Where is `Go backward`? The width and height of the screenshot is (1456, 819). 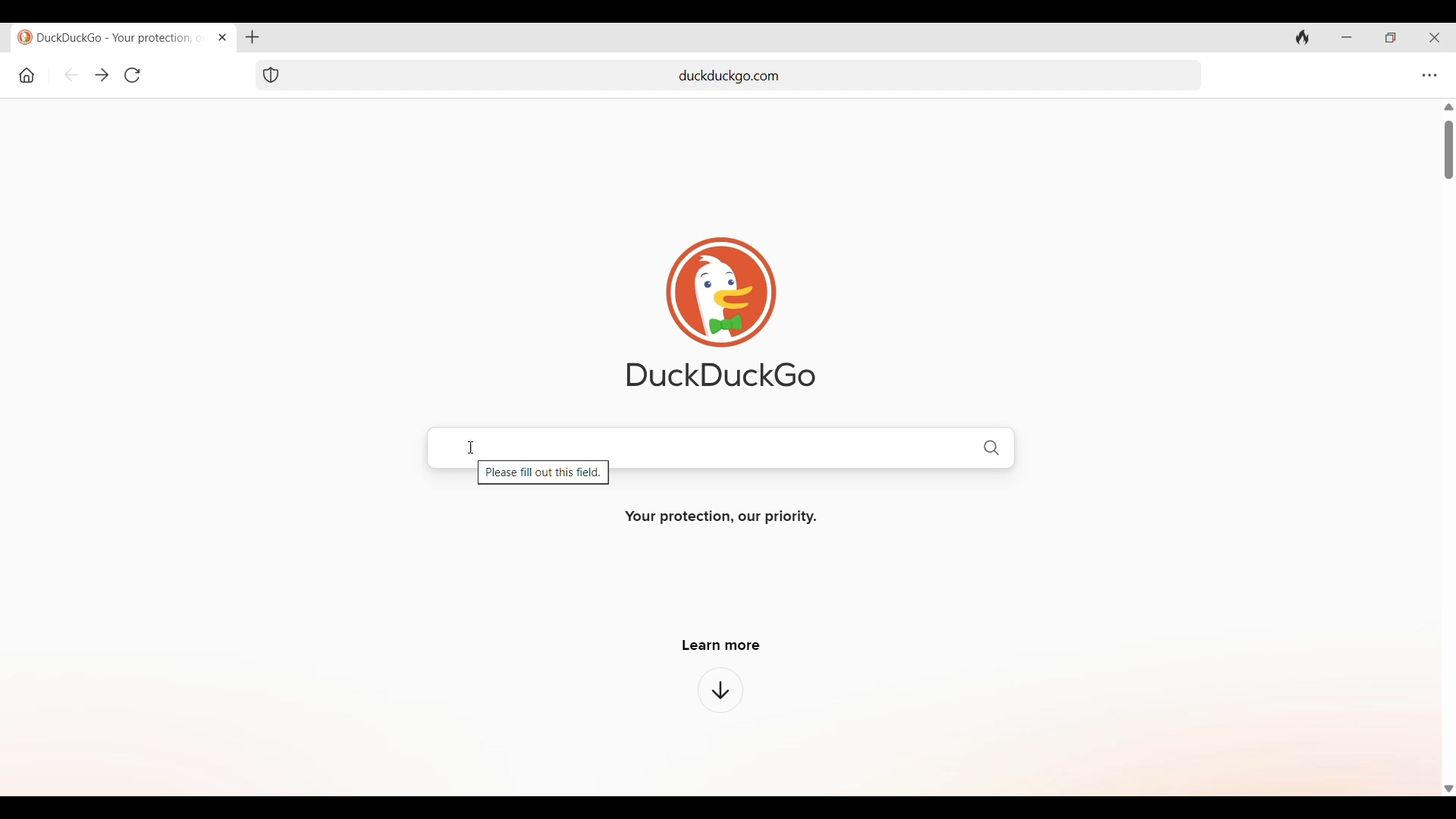 Go backward is located at coordinates (72, 75).